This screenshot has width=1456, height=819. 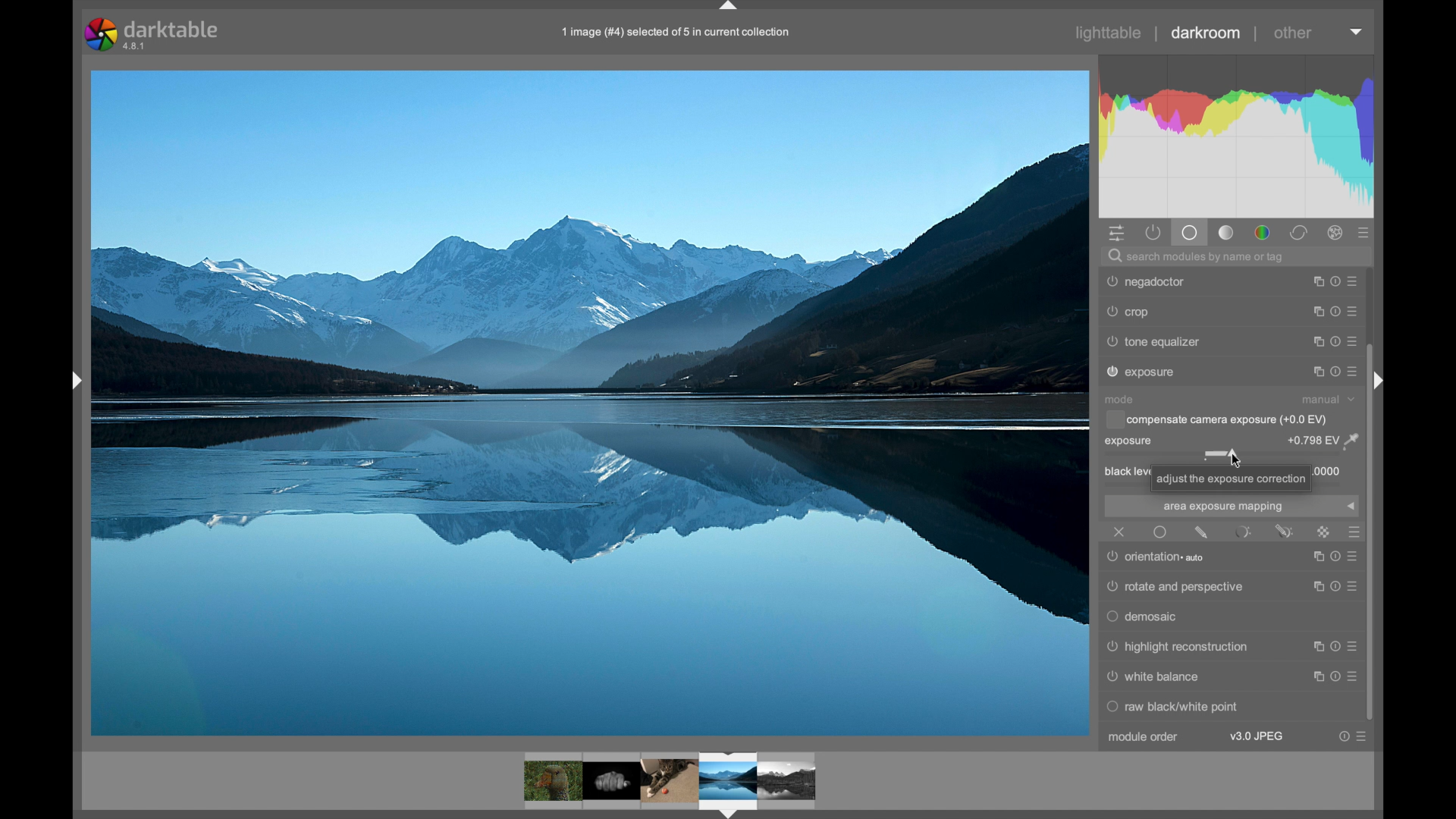 I want to click on menu, so click(x=1334, y=588).